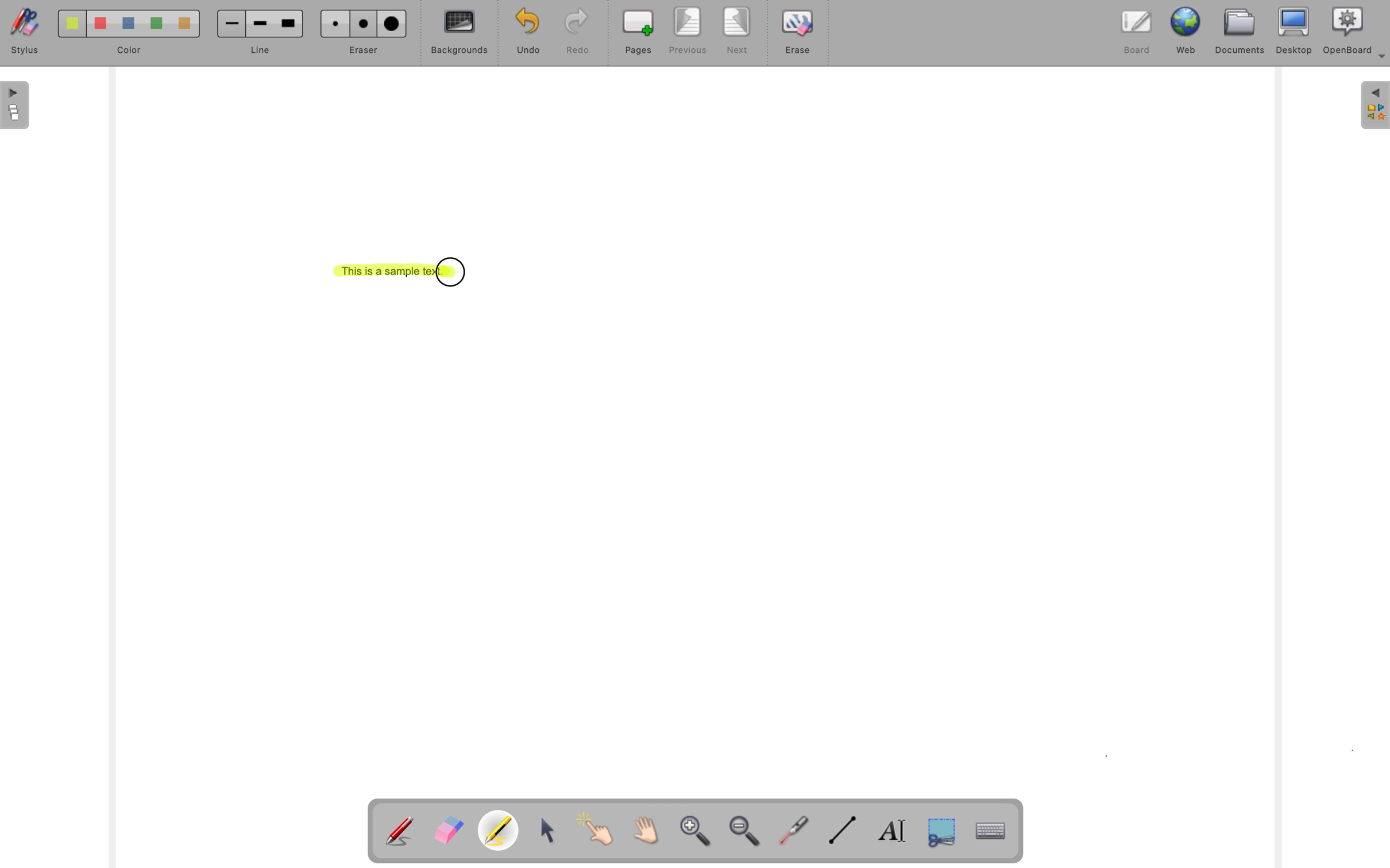  What do you see at coordinates (554, 828) in the screenshot?
I see `select and modify objects` at bounding box center [554, 828].